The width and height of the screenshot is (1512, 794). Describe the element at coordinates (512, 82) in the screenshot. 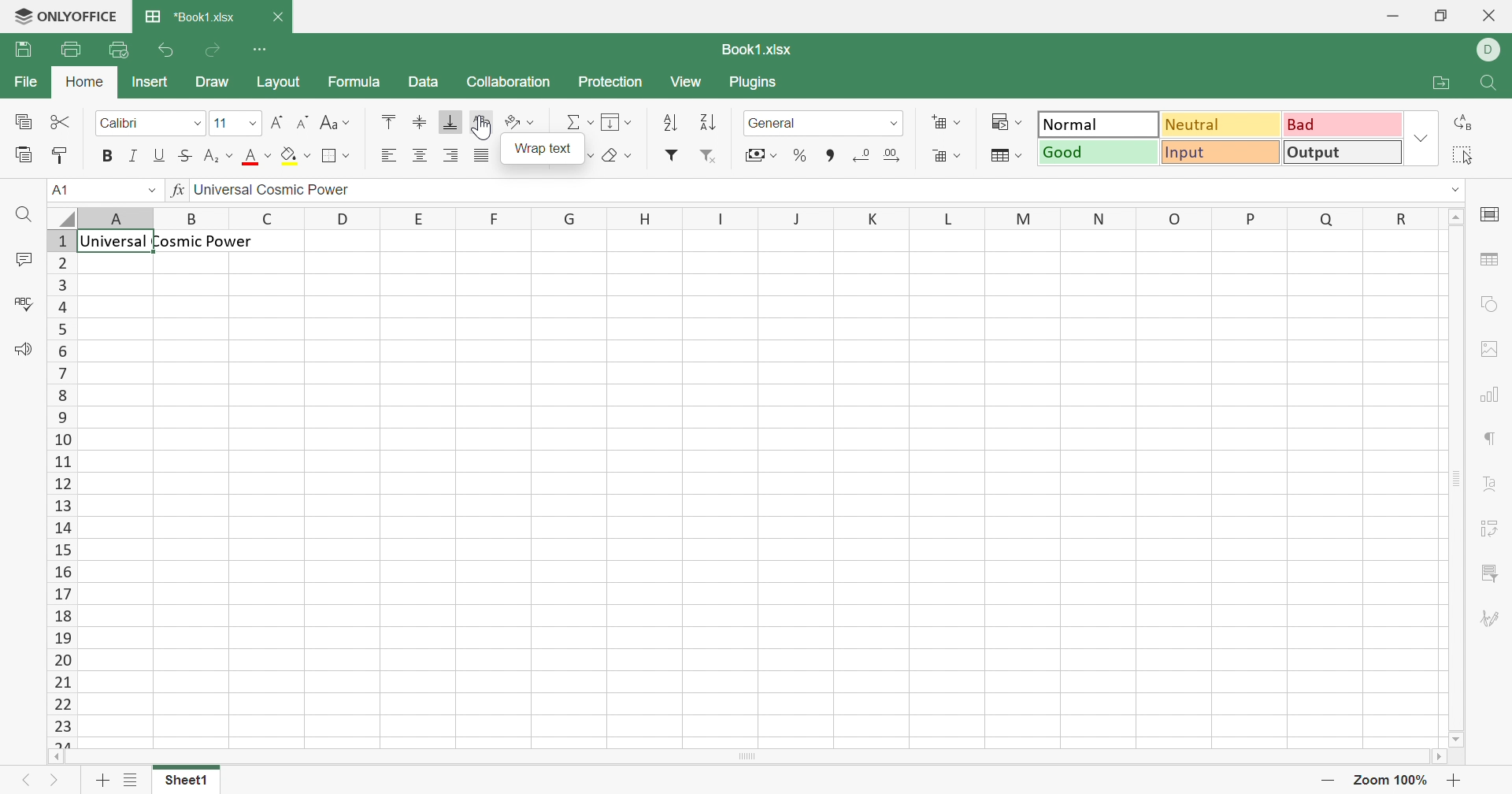

I see `Collaboration` at that location.